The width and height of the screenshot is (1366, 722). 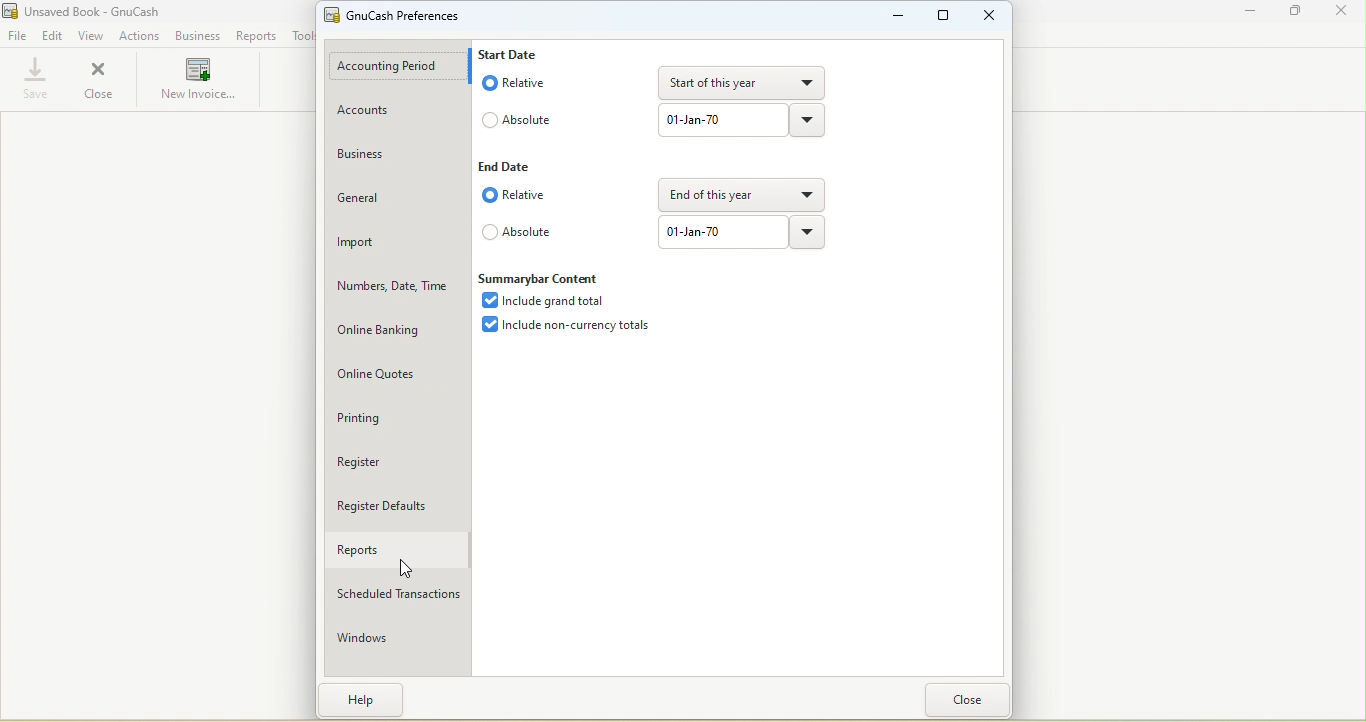 I want to click on Printing, so click(x=396, y=420).